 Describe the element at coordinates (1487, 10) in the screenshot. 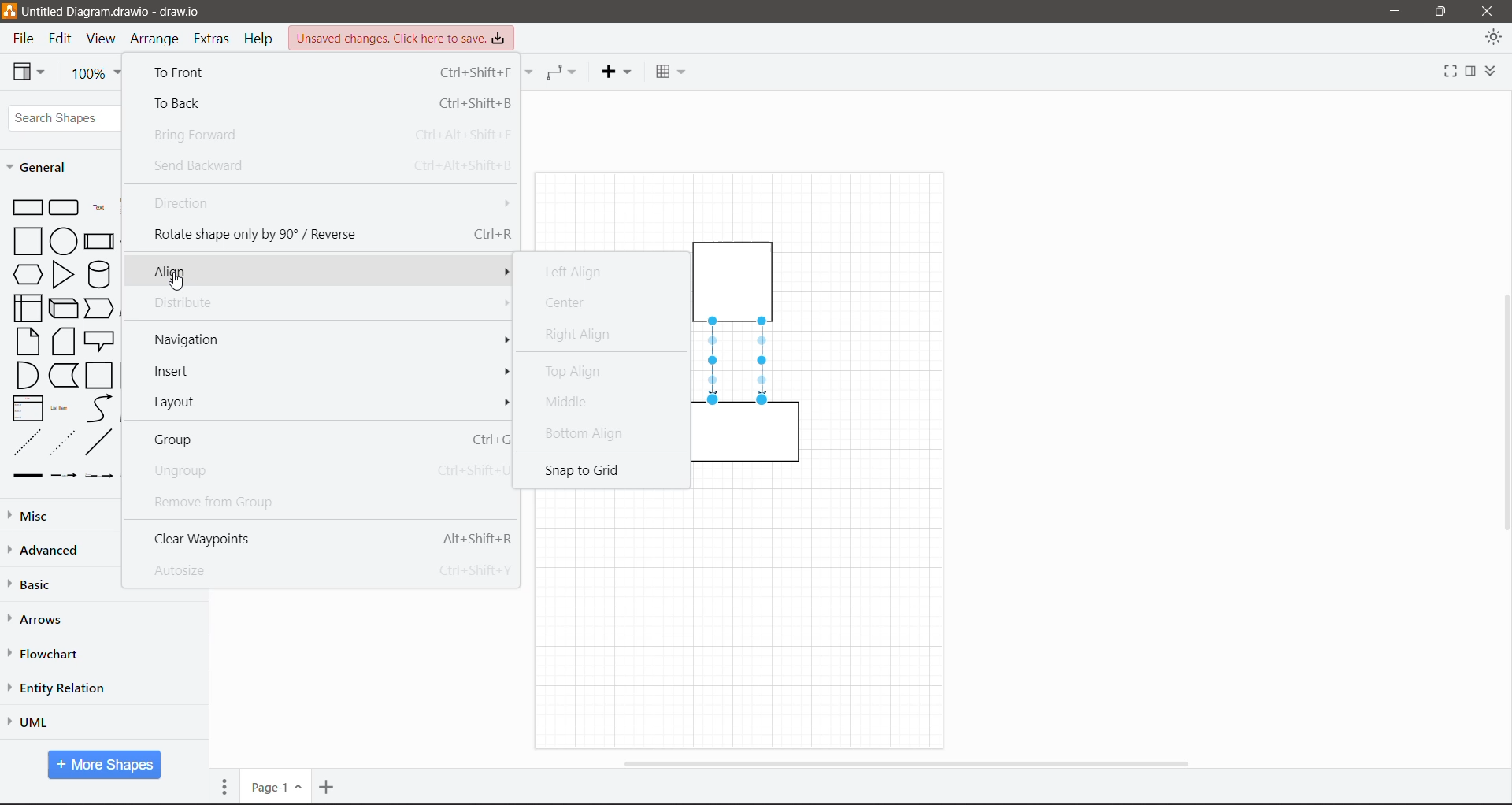

I see `close` at that location.